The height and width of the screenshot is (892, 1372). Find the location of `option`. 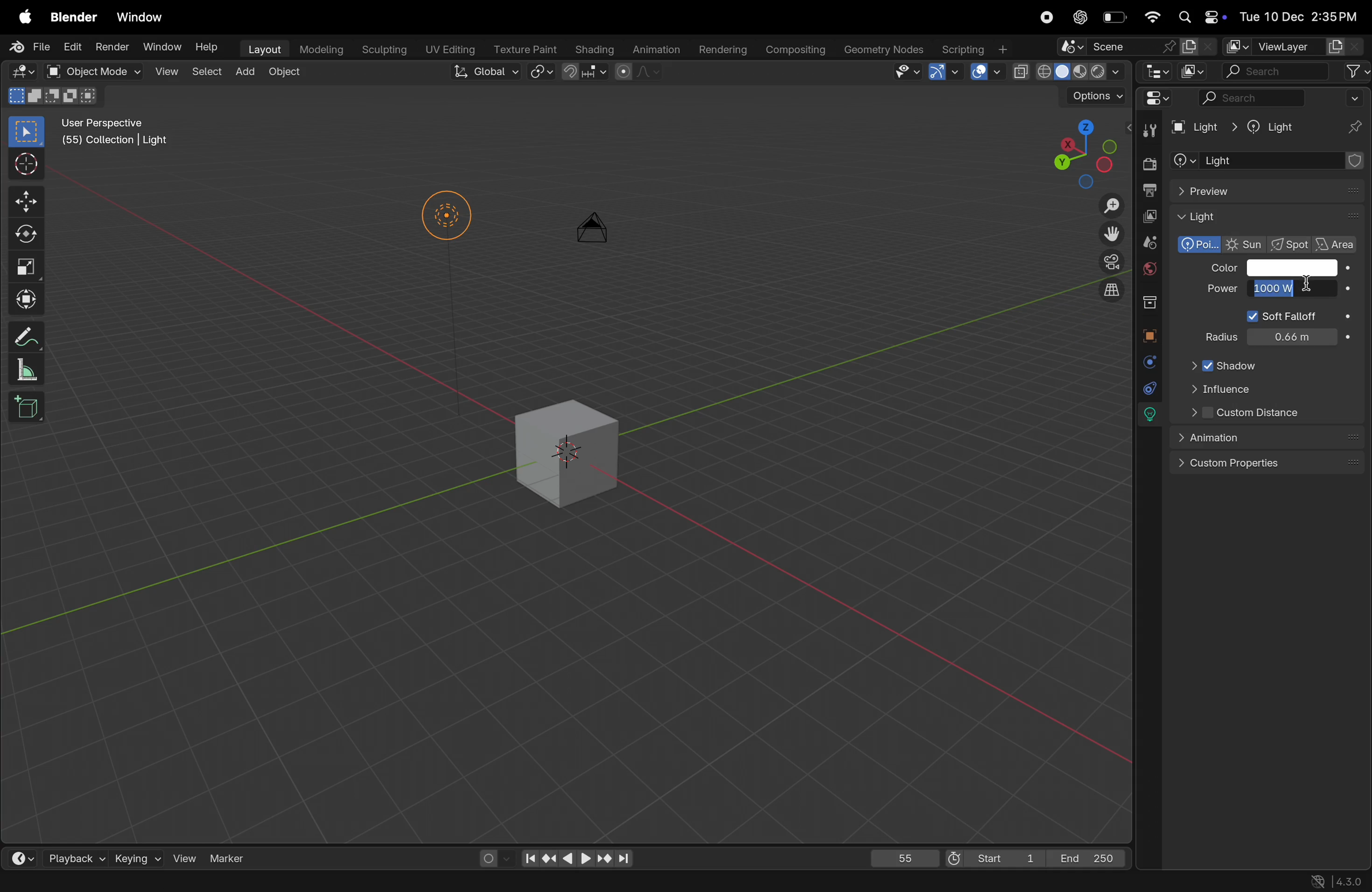

option is located at coordinates (1094, 96).